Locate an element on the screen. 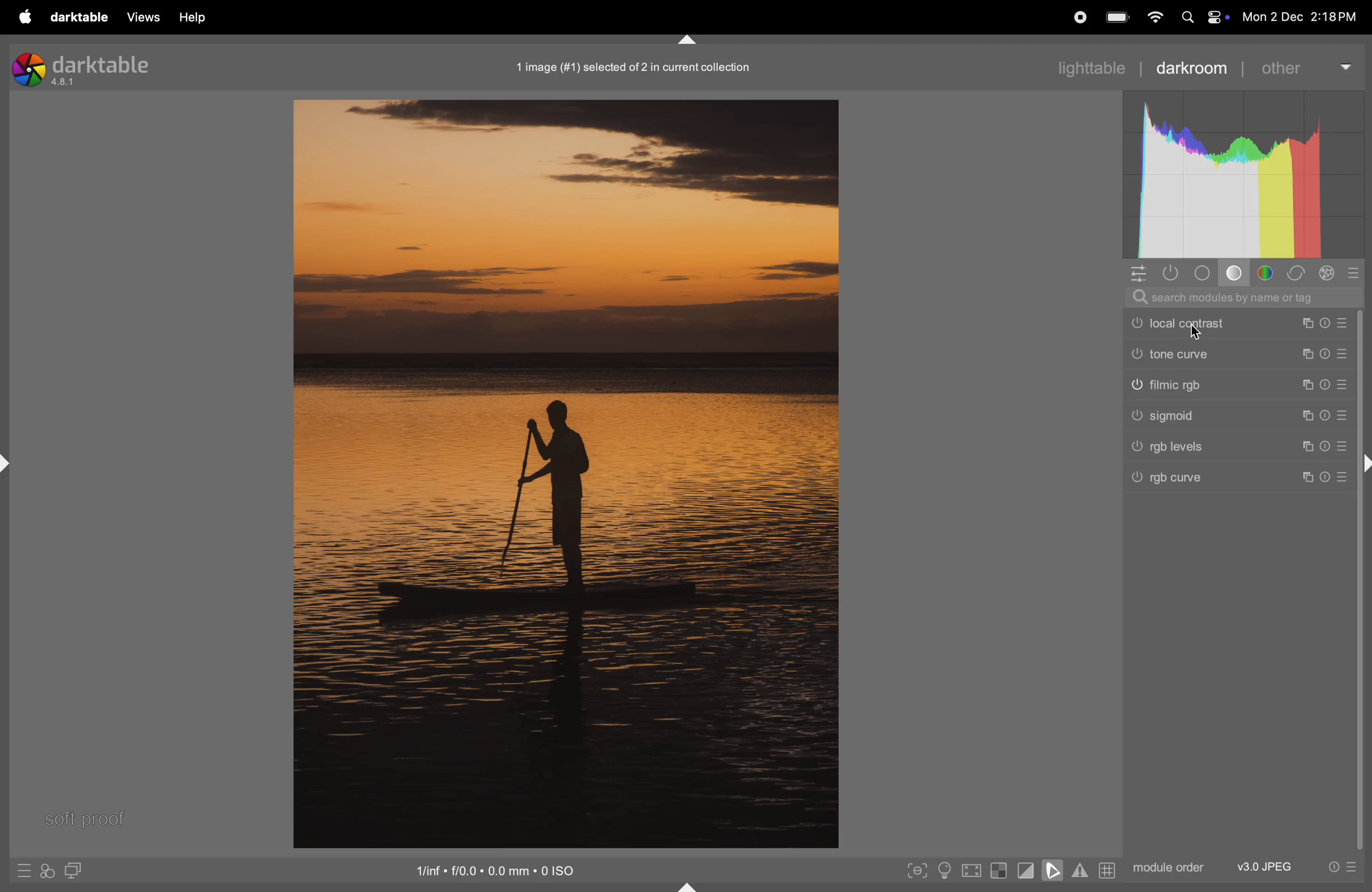 This screenshot has width=1372, height=892. tone is located at coordinates (1234, 273).